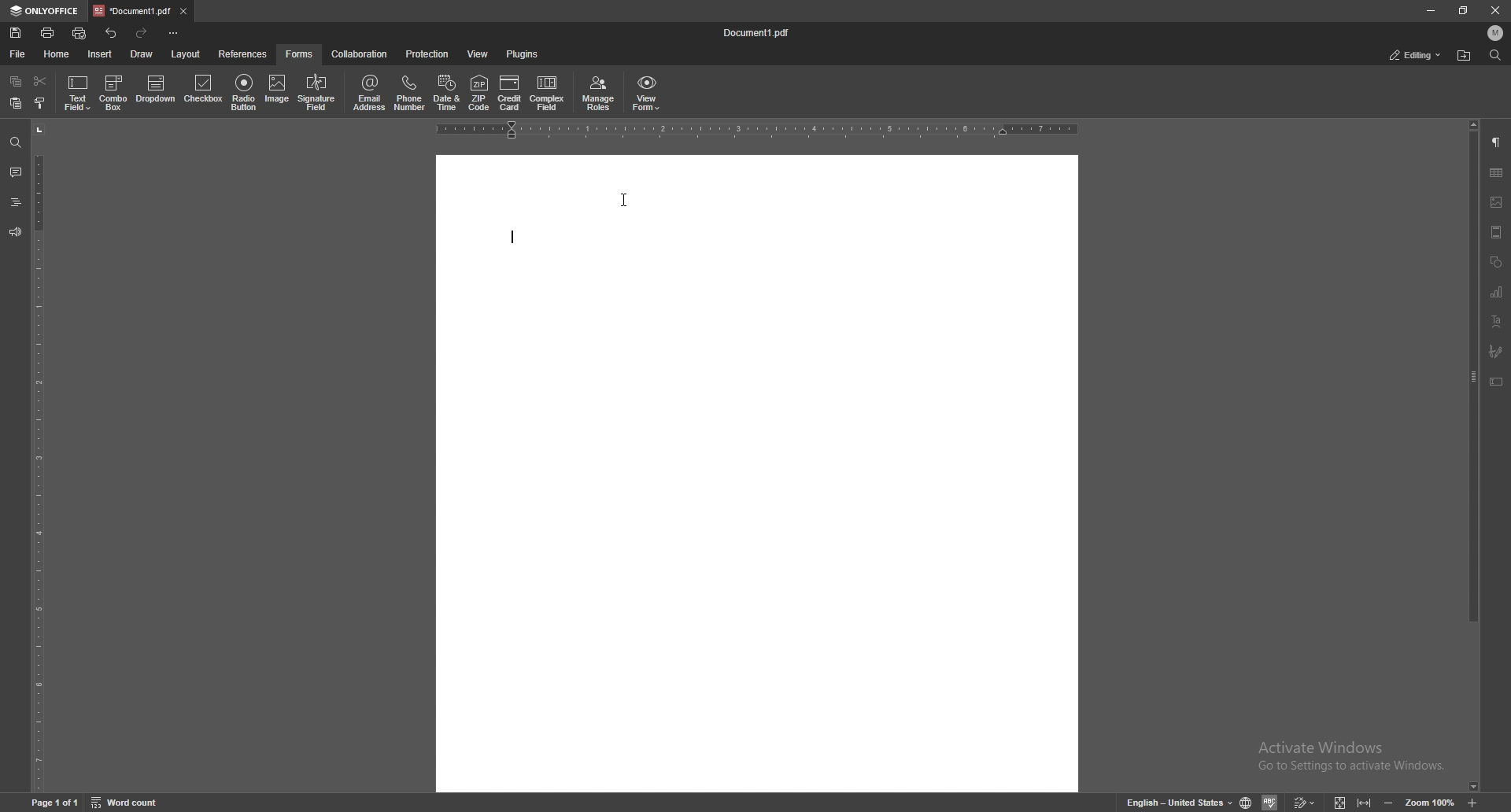  I want to click on feedback, so click(15, 232).